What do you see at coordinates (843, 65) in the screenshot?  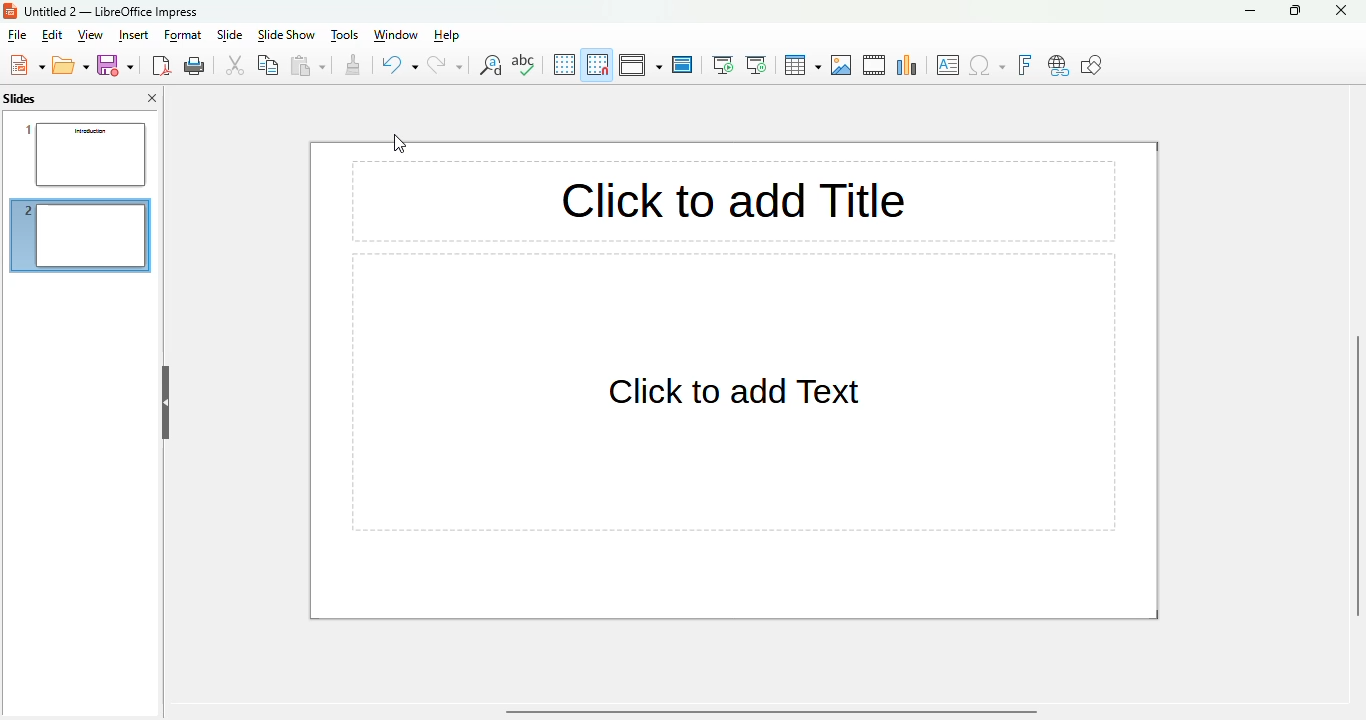 I see `insert image` at bounding box center [843, 65].